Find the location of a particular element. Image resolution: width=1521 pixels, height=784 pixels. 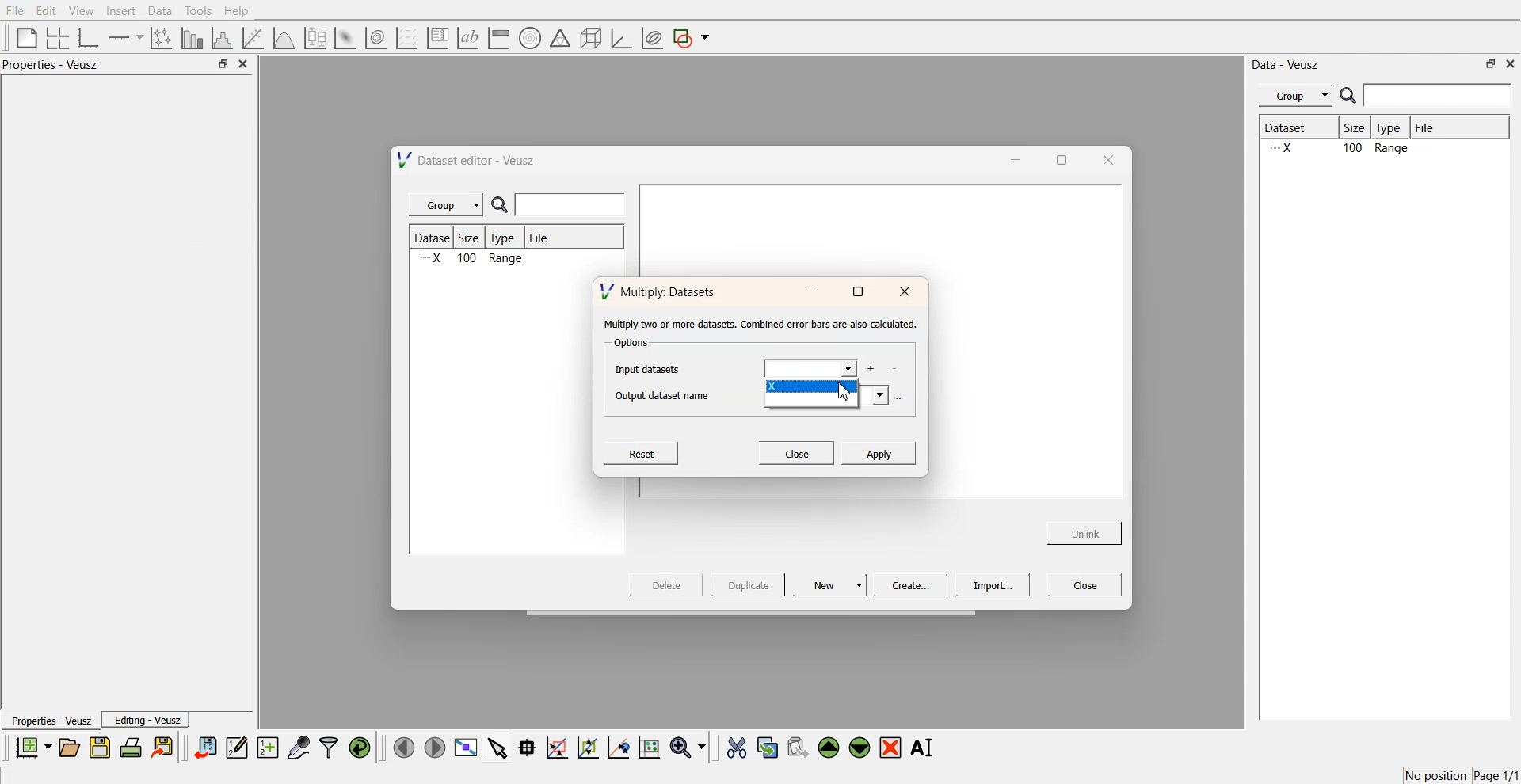

Editing - Veusz is located at coordinates (147, 720).